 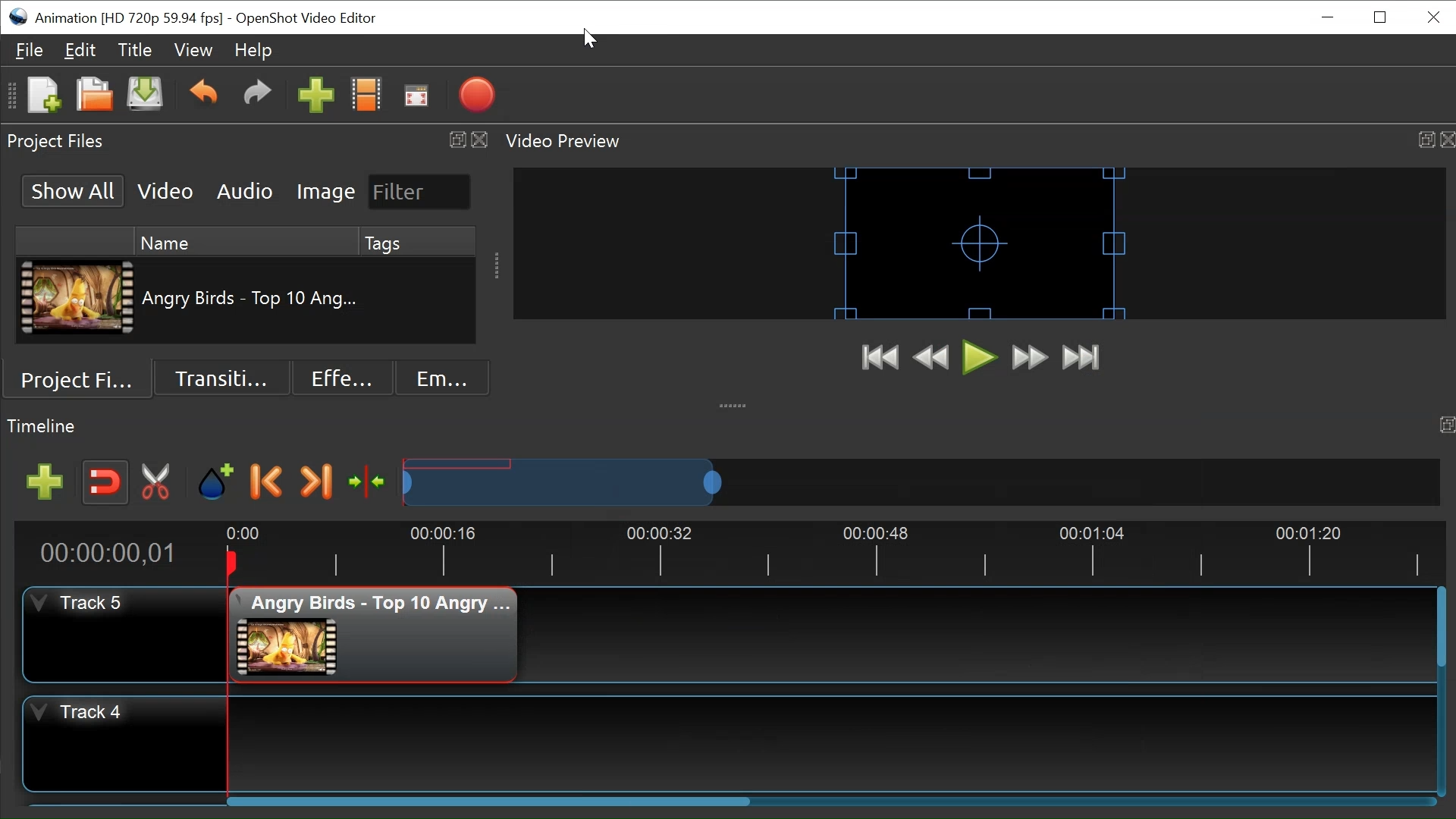 I want to click on Previous Marker, so click(x=267, y=481).